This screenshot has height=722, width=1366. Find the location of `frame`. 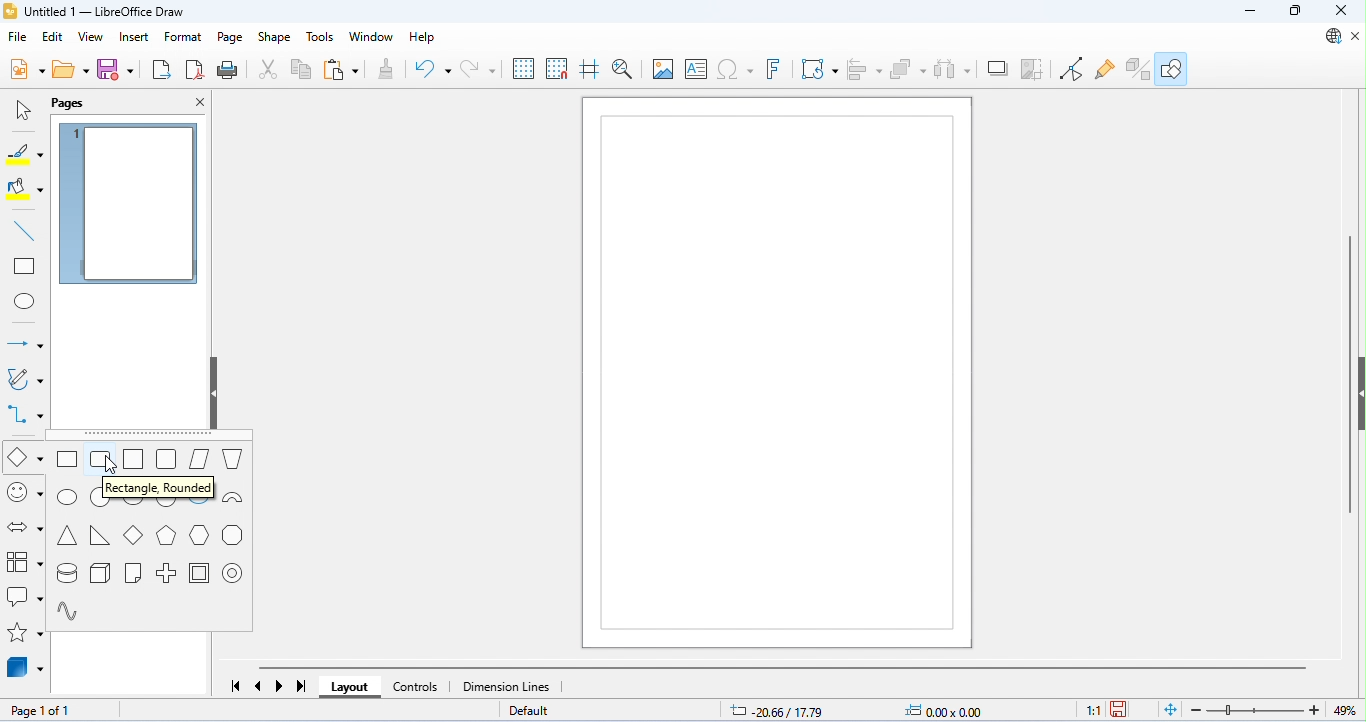

frame is located at coordinates (200, 572).